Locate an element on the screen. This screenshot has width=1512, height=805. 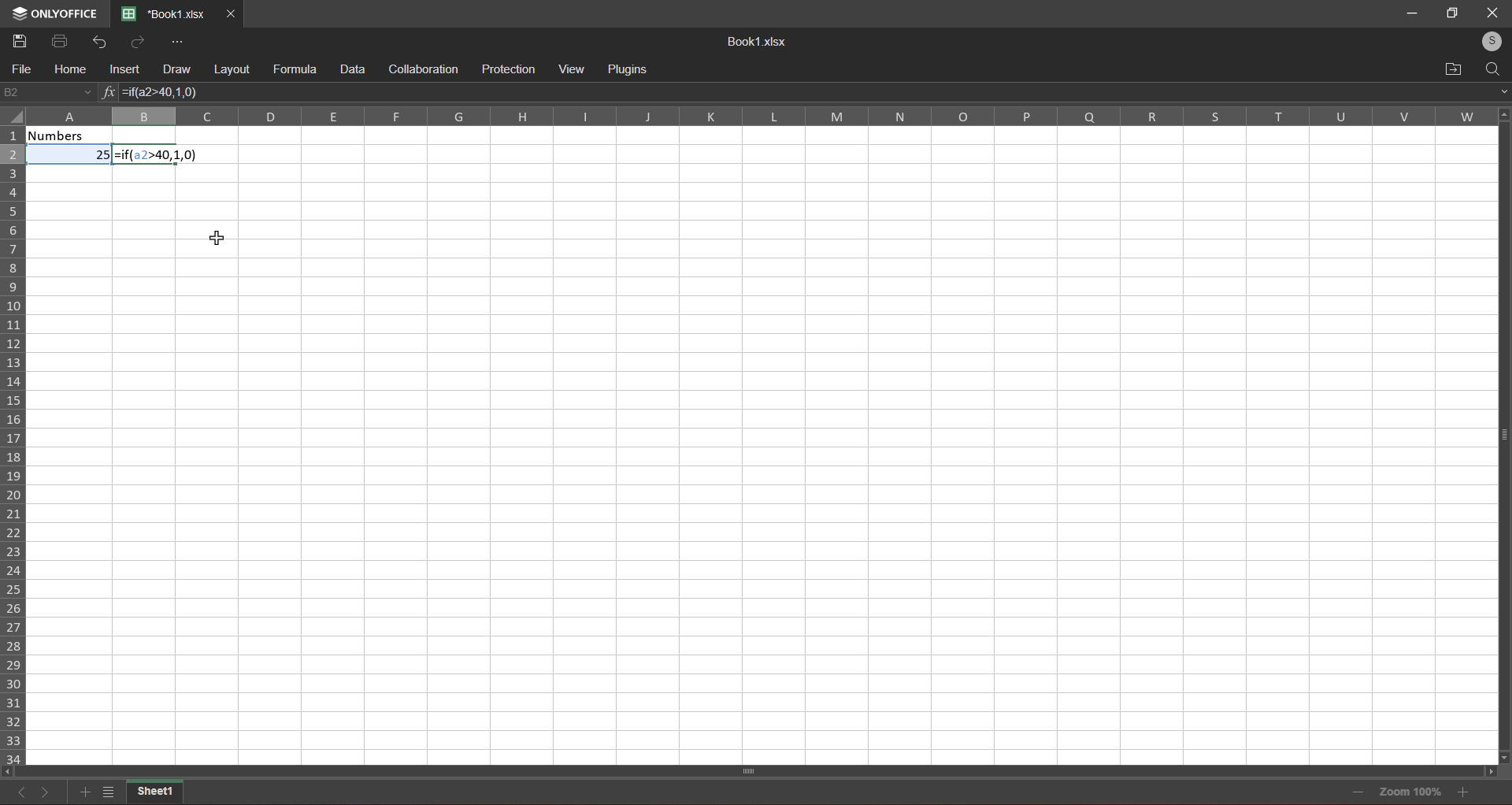
next is located at coordinates (45, 793).